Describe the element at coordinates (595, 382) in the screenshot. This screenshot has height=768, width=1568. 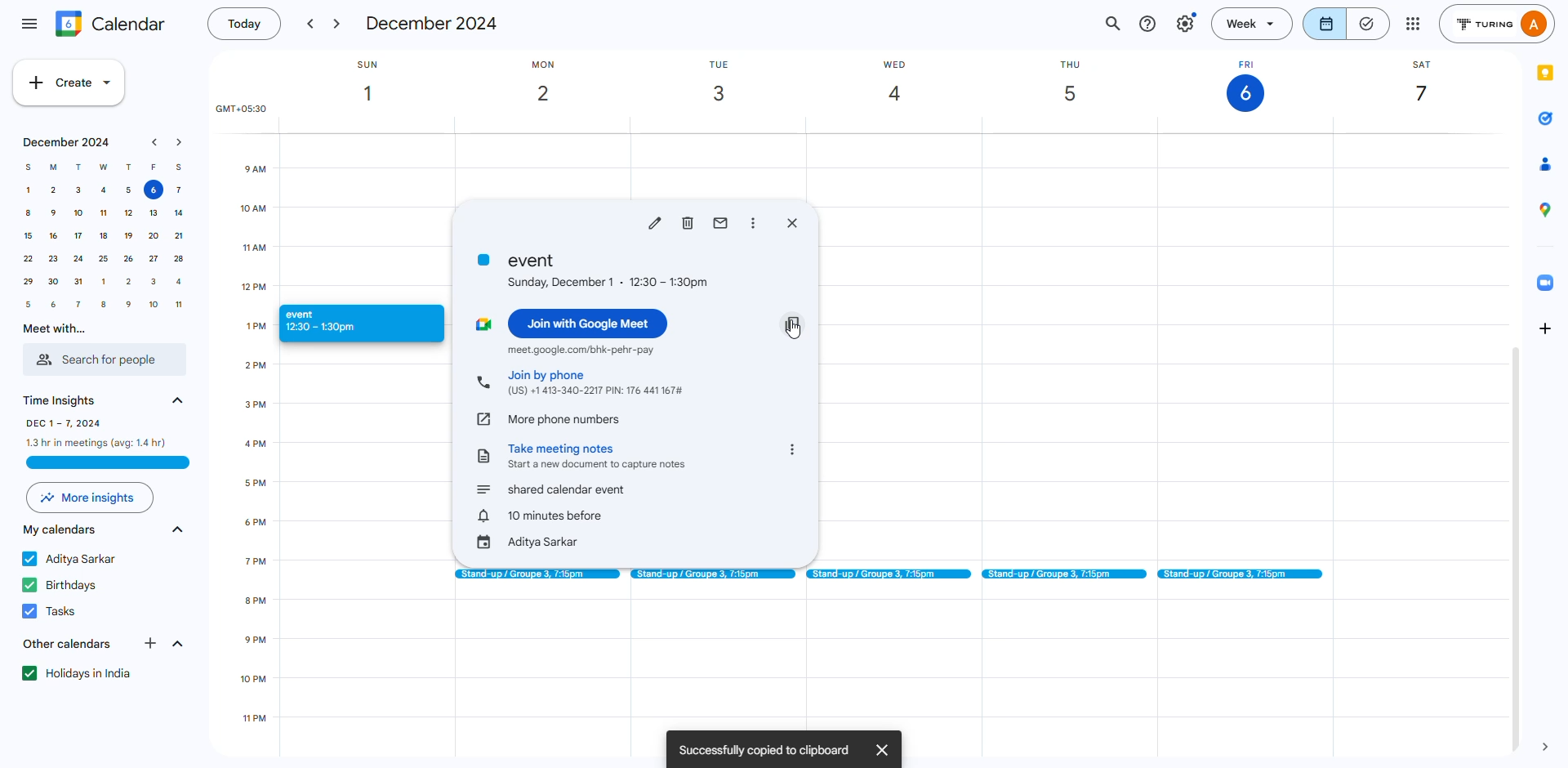
I see `join` at that location.